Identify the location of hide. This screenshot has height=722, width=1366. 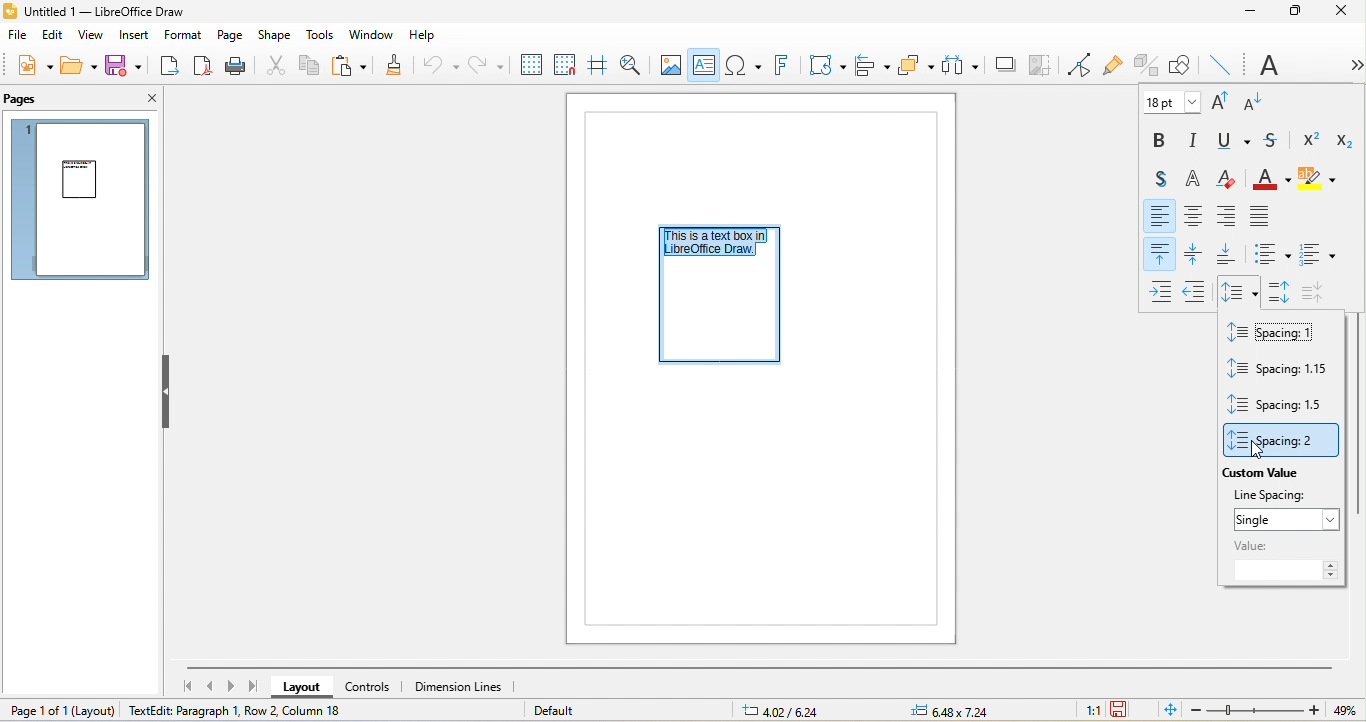
(168, 392).